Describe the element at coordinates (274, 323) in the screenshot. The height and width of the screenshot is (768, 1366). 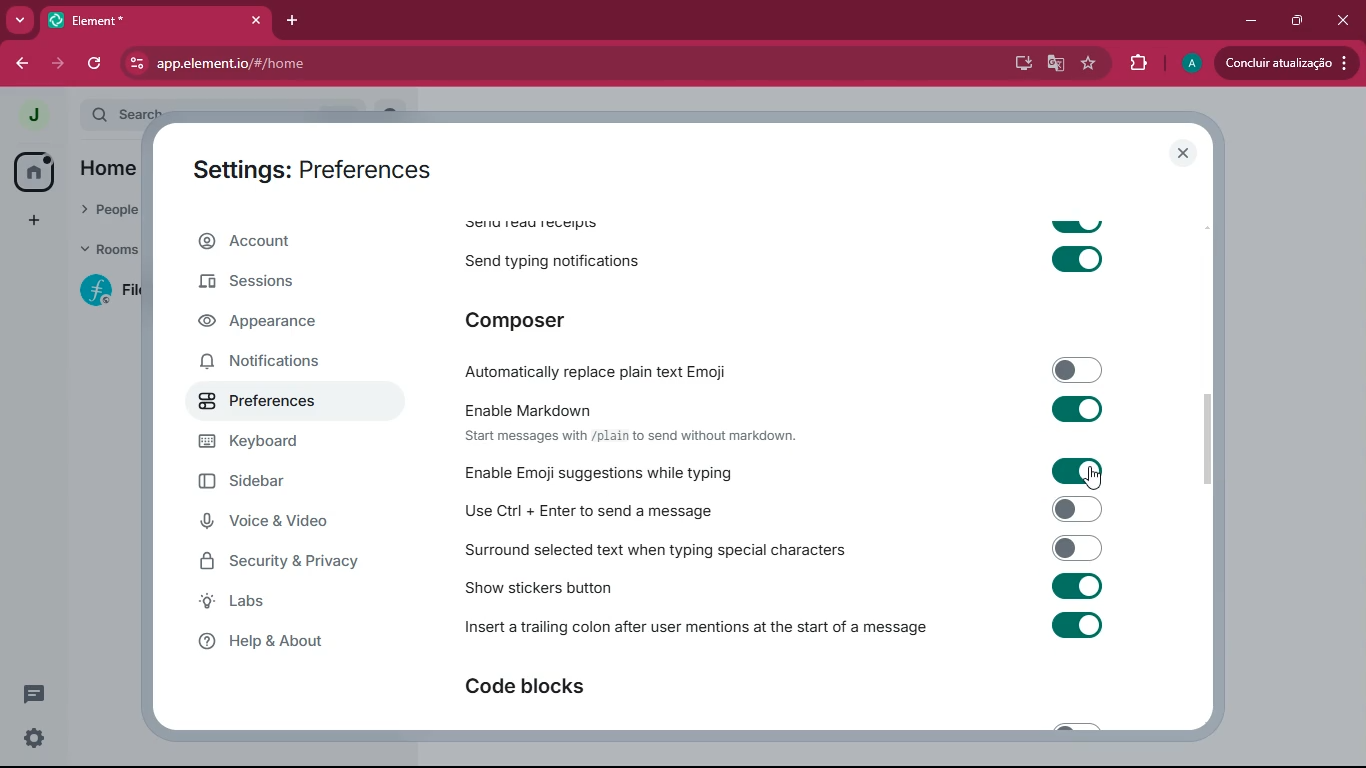
I see `appearance` at that location.